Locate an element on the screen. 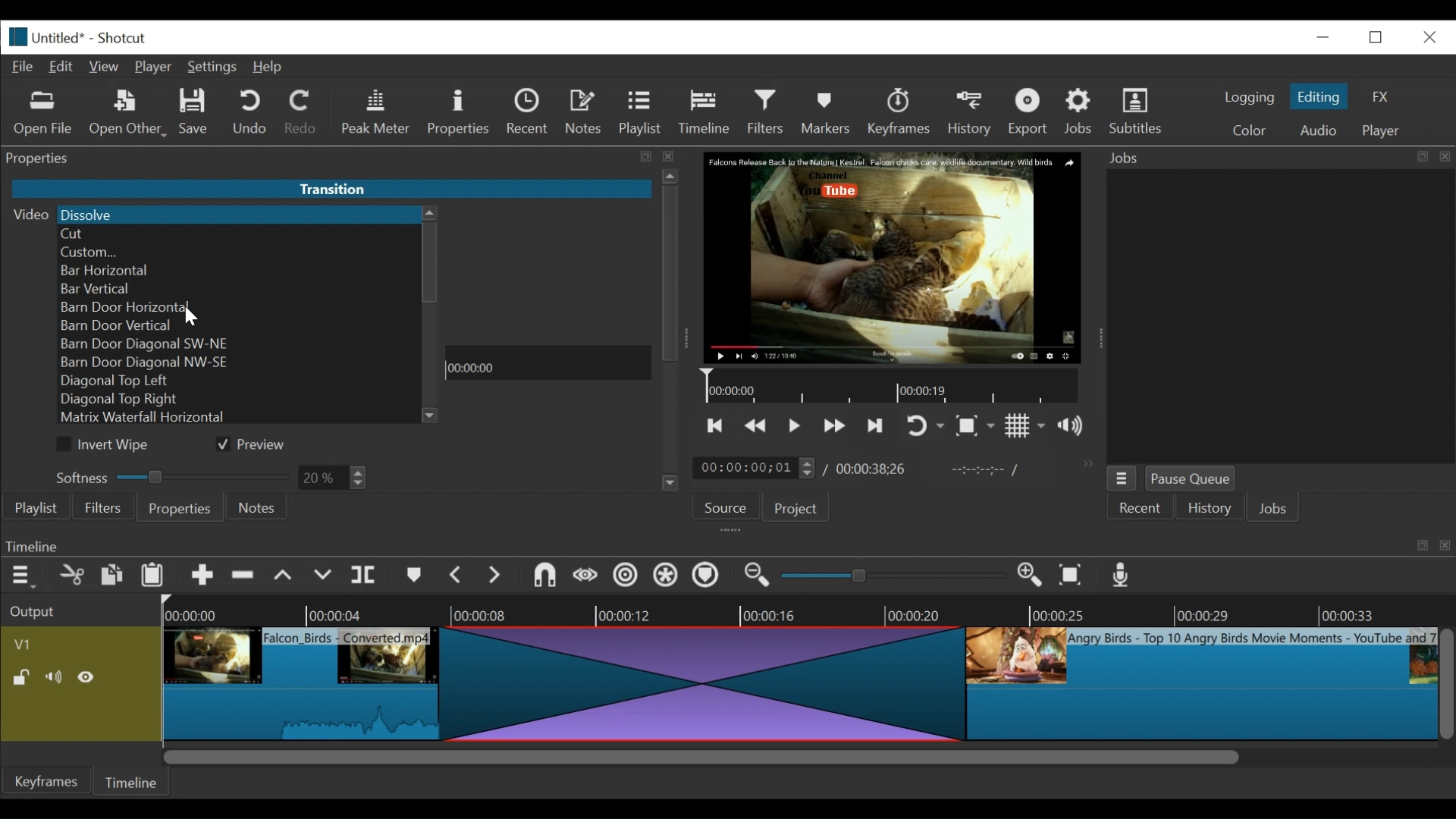 The width and height of the screenshot is (1456, 819). Properties is located at coordinates (460, 112).